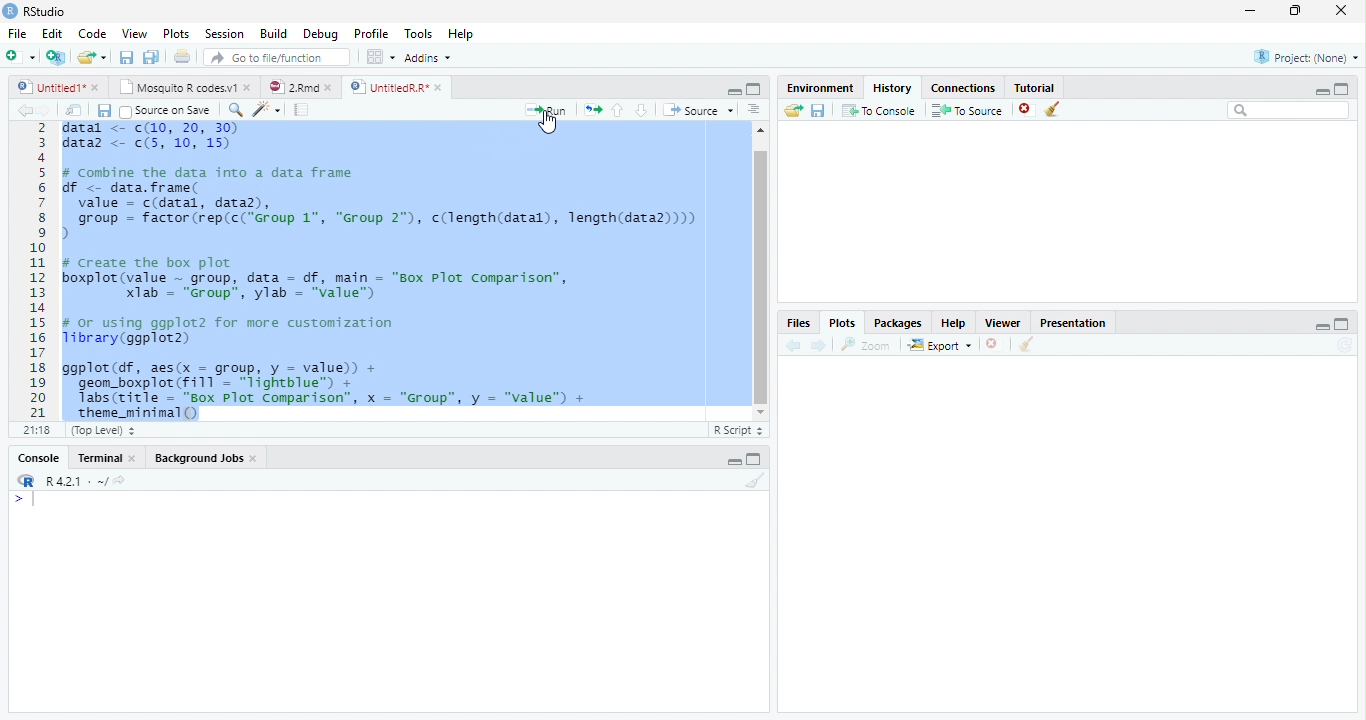  What do you see at coordinates (546, 111) in the screenshot?
I see `Run` at bounding box center [546, 111].